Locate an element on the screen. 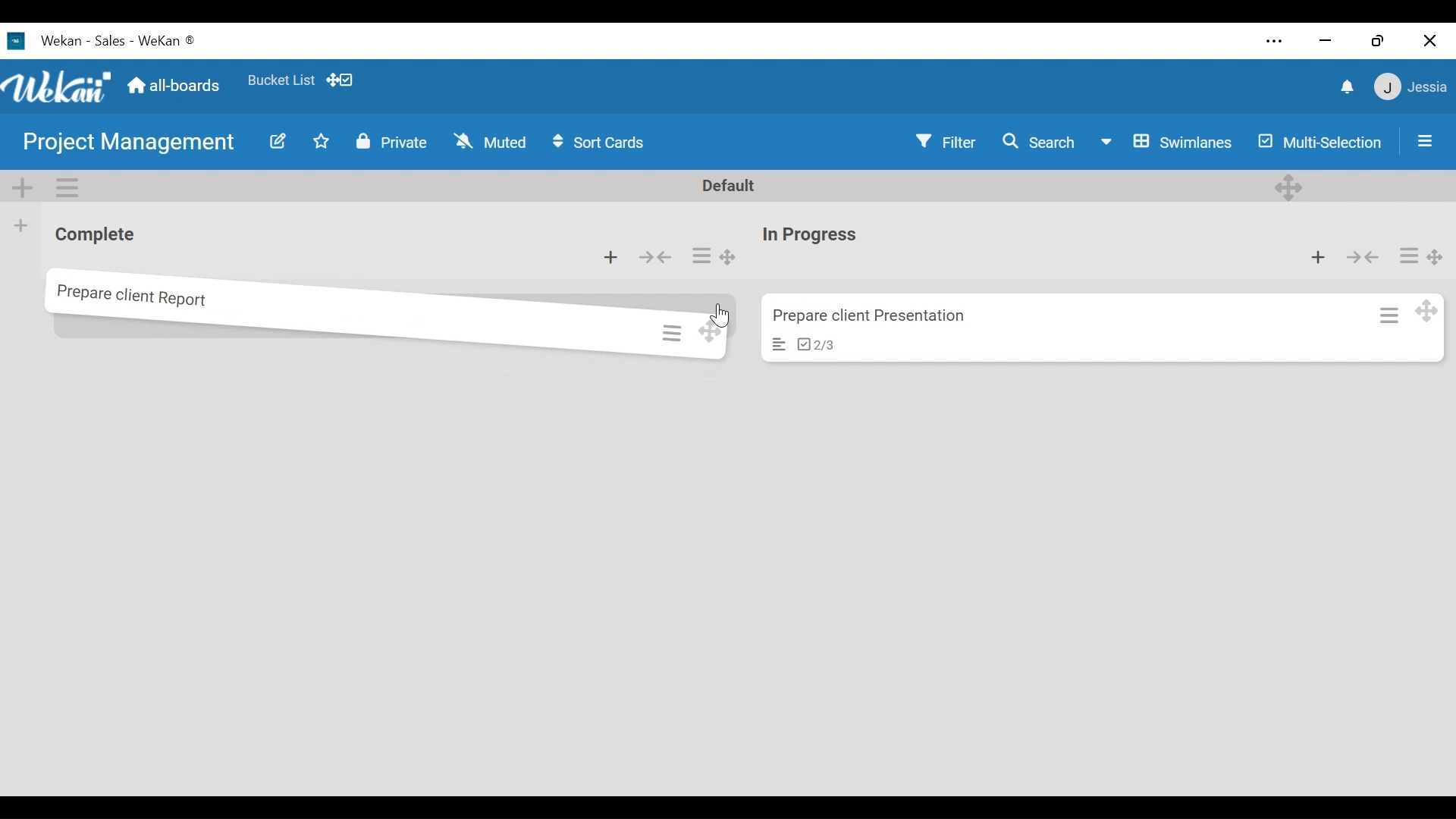  Private is located at coordinates (393, 143).